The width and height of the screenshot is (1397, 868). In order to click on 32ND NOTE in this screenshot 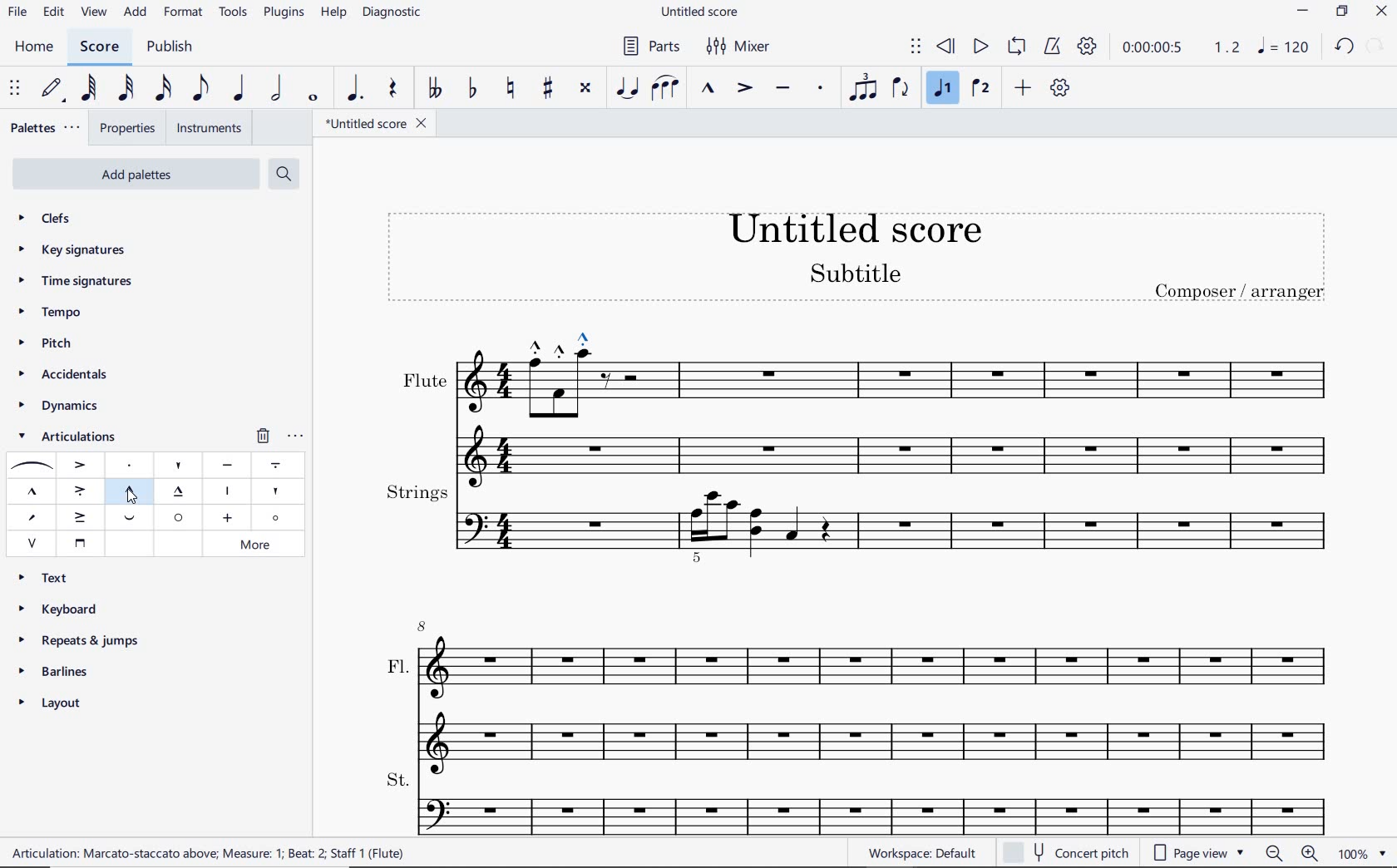, I will do `click(124, 91)`.